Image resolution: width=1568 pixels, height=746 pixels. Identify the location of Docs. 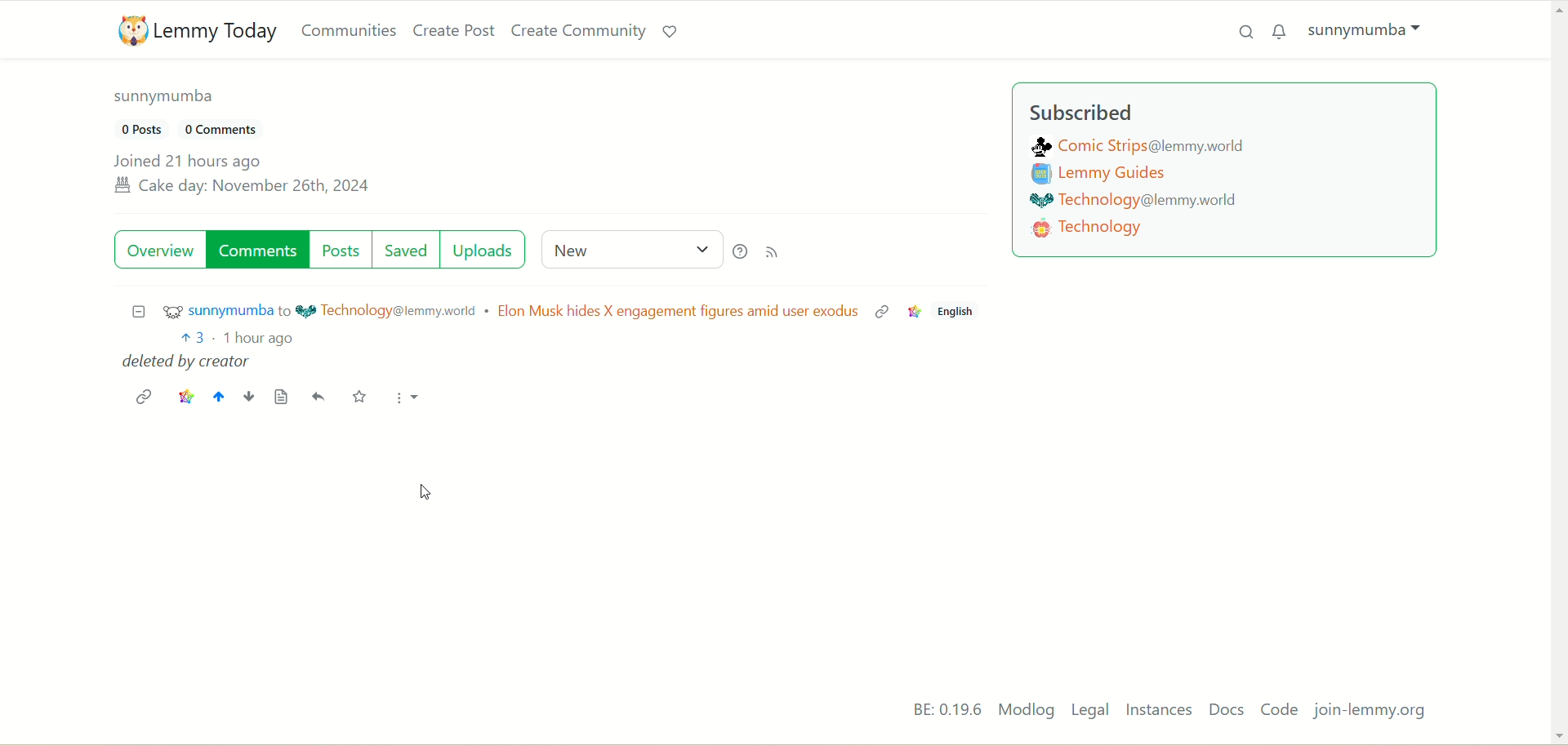
(1230, 710).